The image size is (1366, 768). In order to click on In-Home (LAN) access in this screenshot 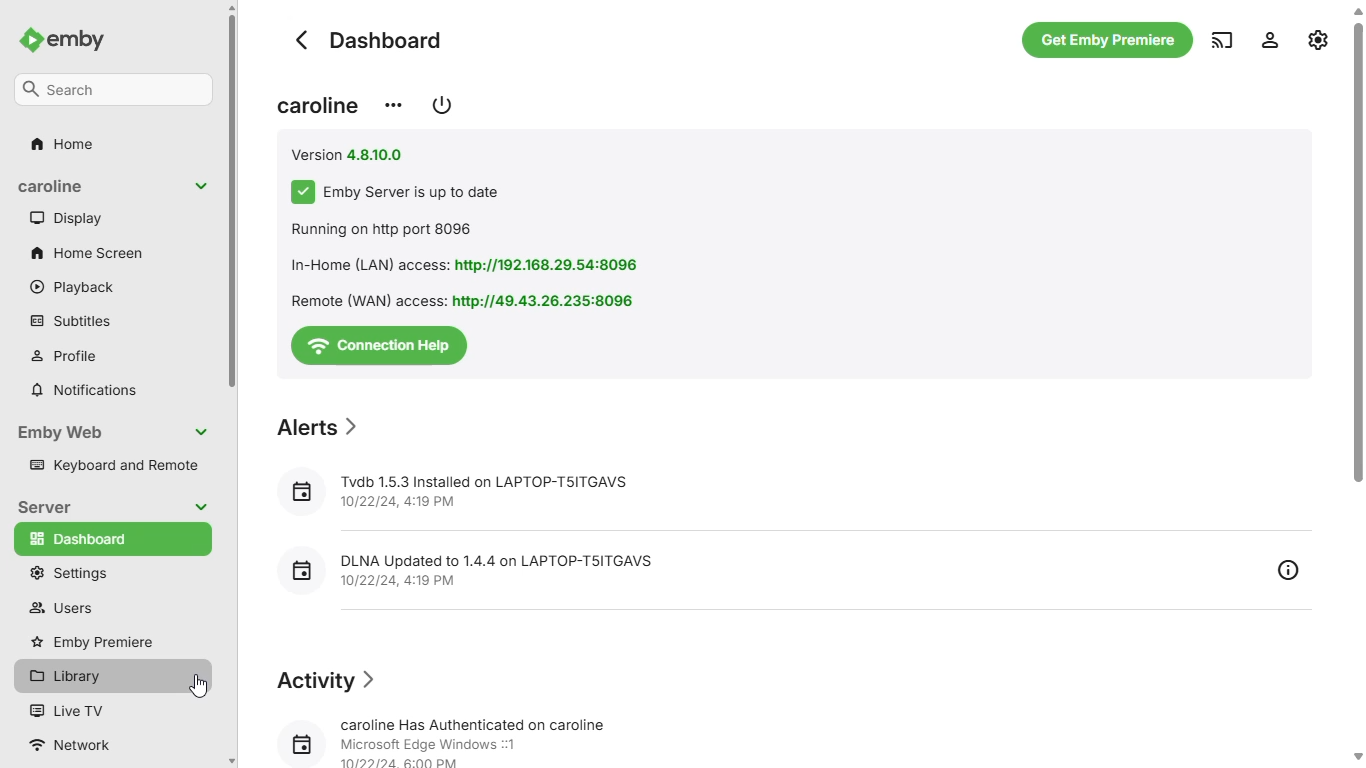, I will do `click(365, 264)`.